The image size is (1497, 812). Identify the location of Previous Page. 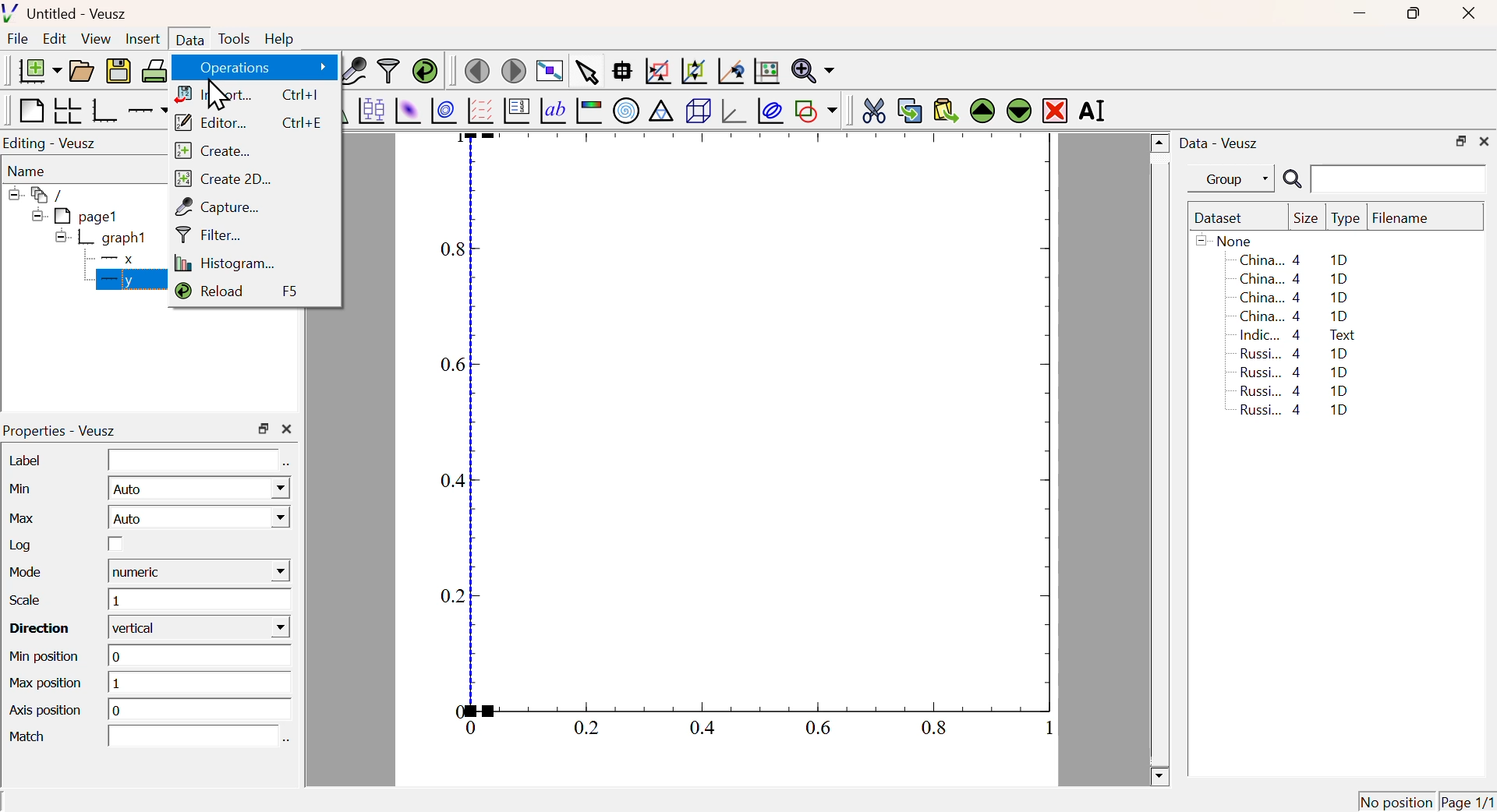
(478, 72).